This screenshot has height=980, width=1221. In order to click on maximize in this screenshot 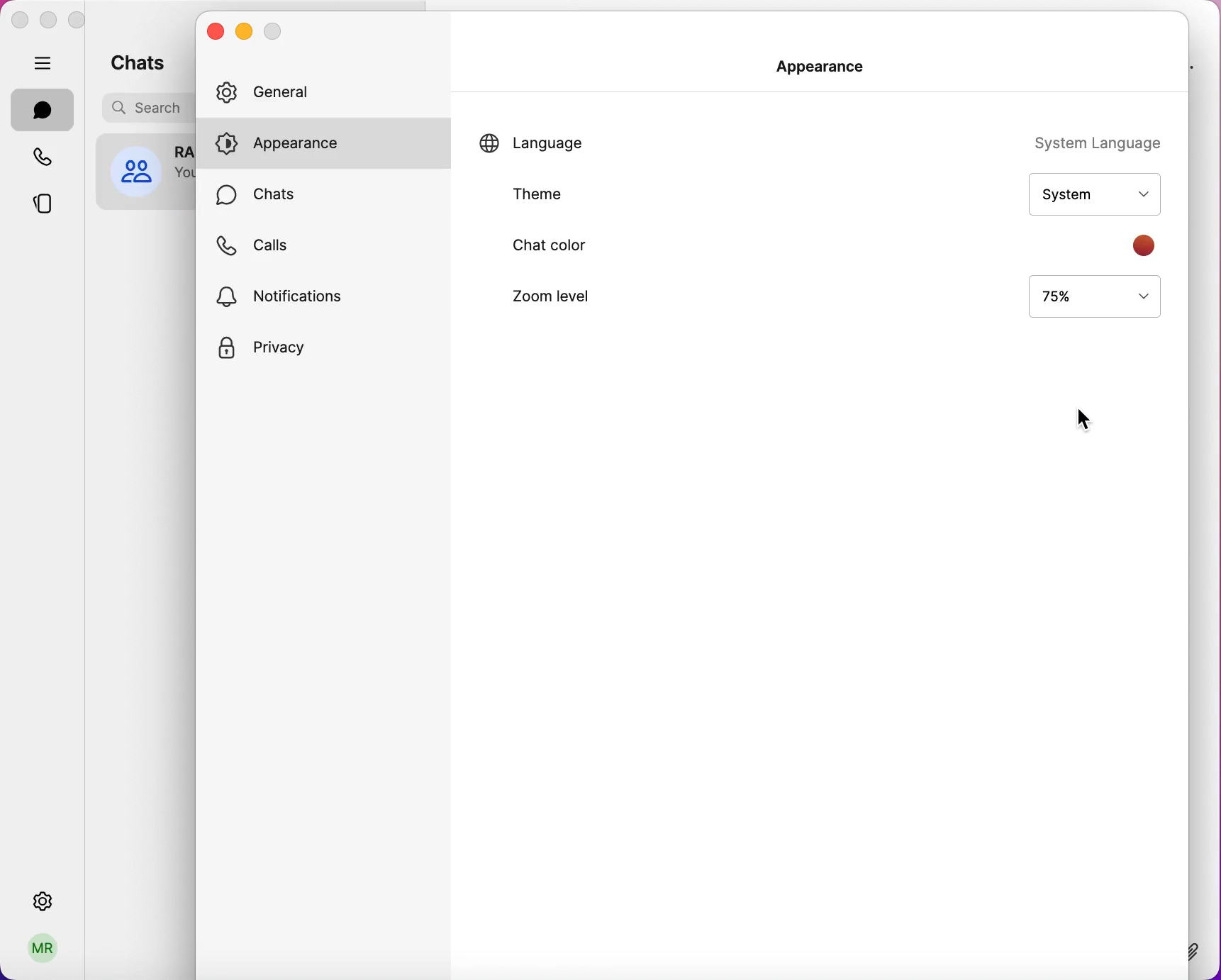, I will do `click(84, 21)`.